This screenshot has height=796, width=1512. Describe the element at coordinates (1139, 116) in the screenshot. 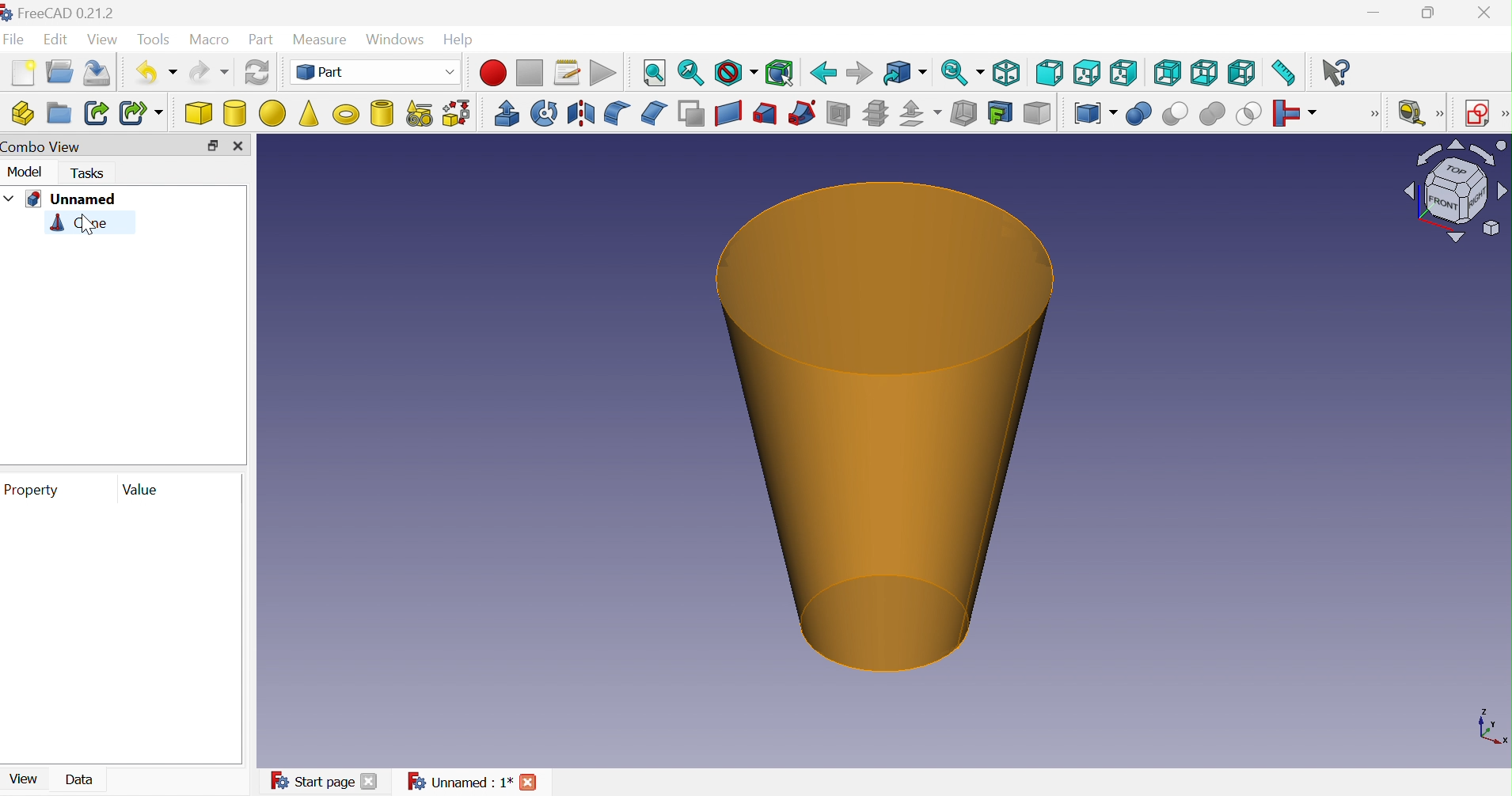

I see `Boolean` at that location.